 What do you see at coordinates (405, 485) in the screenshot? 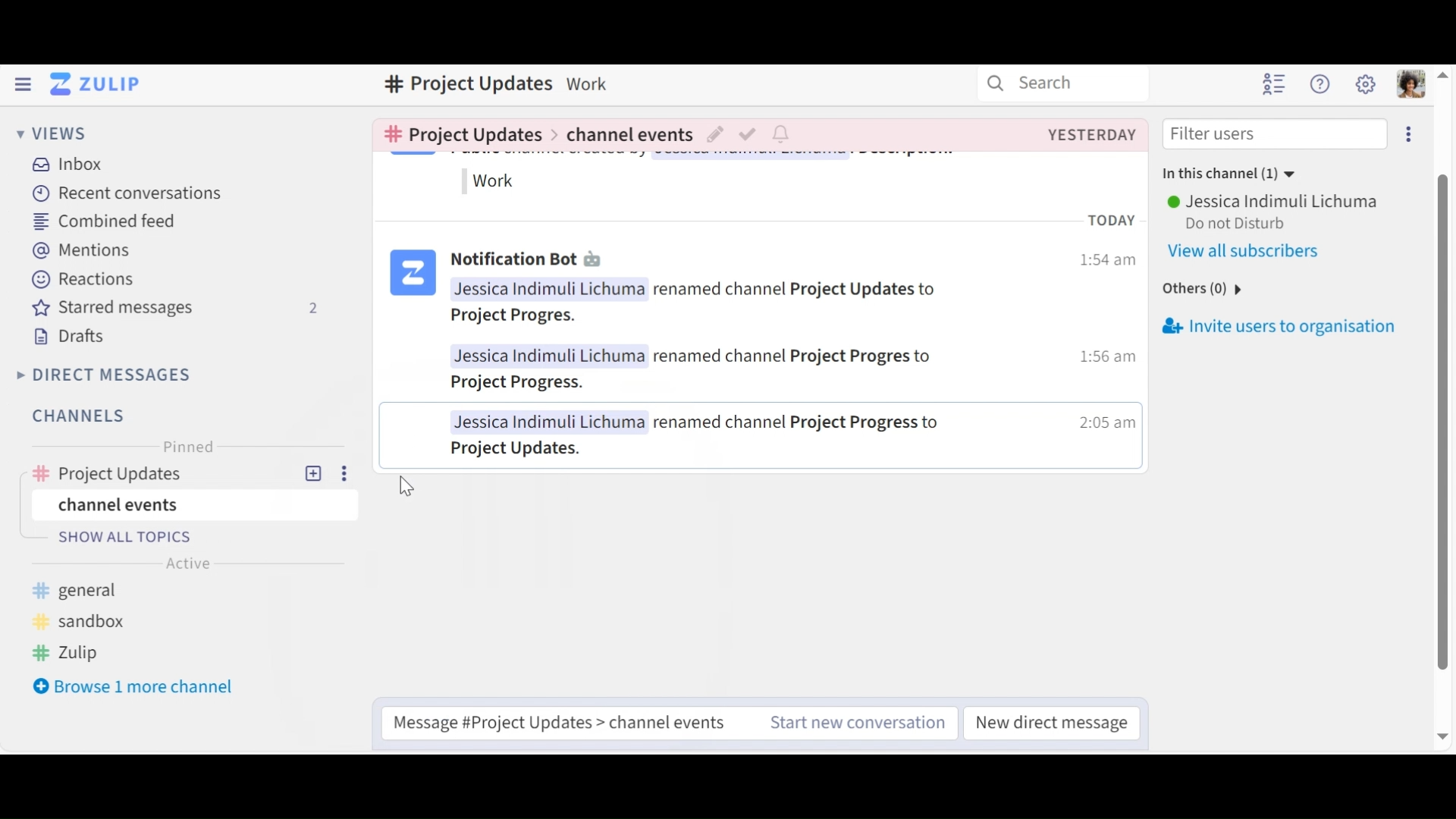
I see `cursor` at bounding box center [405, 485].